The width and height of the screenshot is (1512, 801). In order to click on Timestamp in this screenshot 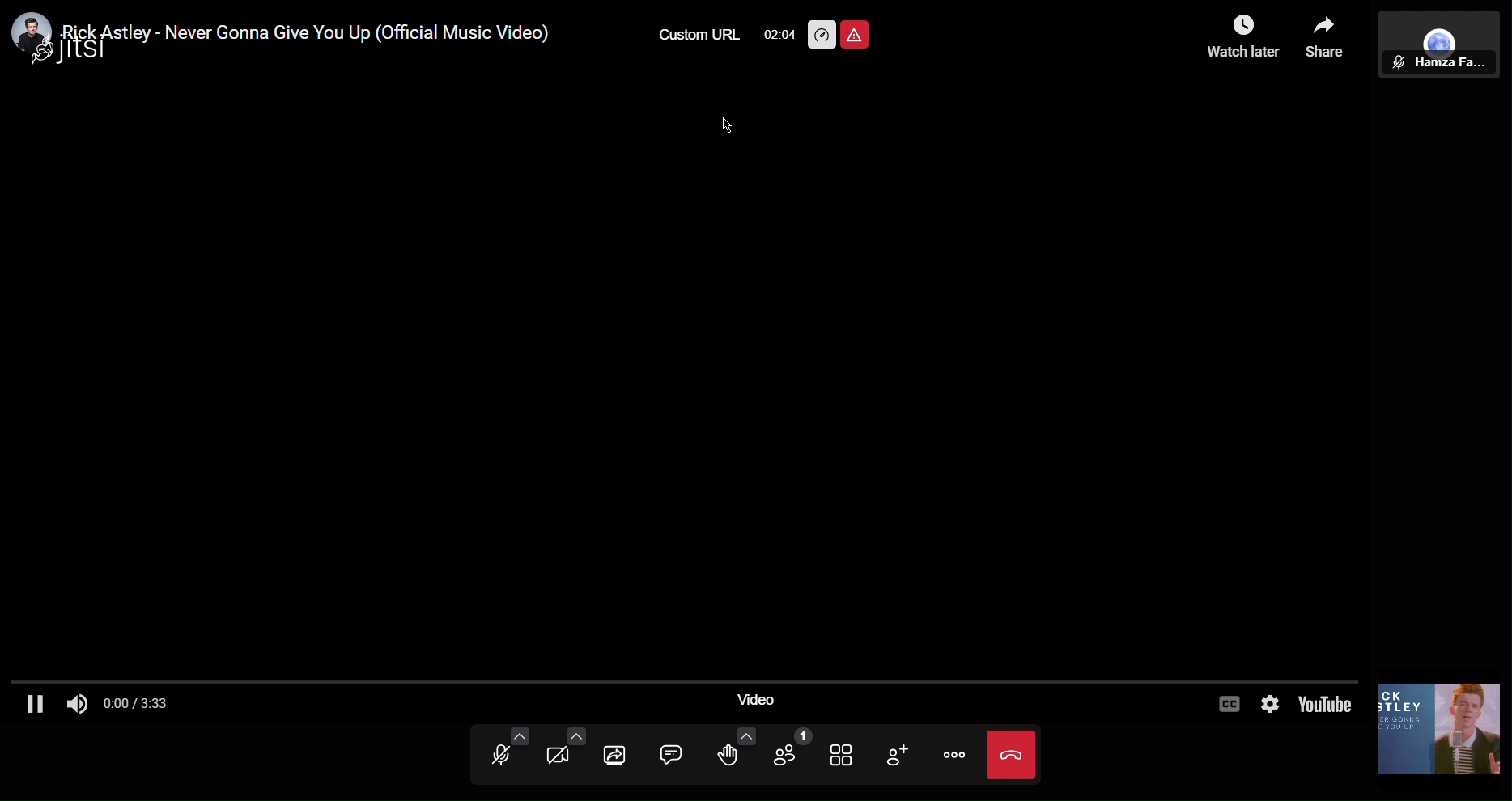, I will do `click(143, 704)`.